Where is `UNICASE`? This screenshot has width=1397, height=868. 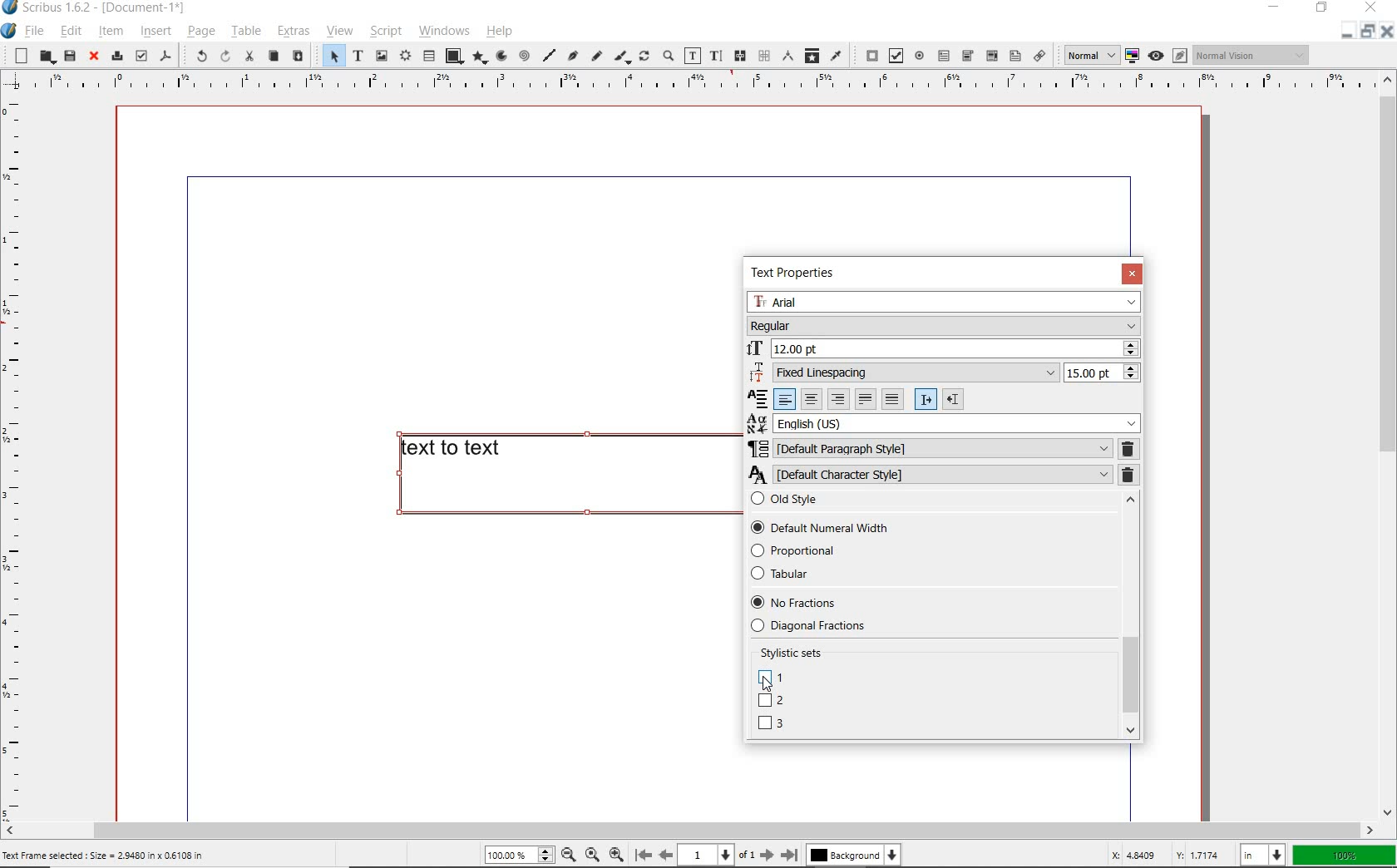
UNICASE is located at coordinates (770, 677).